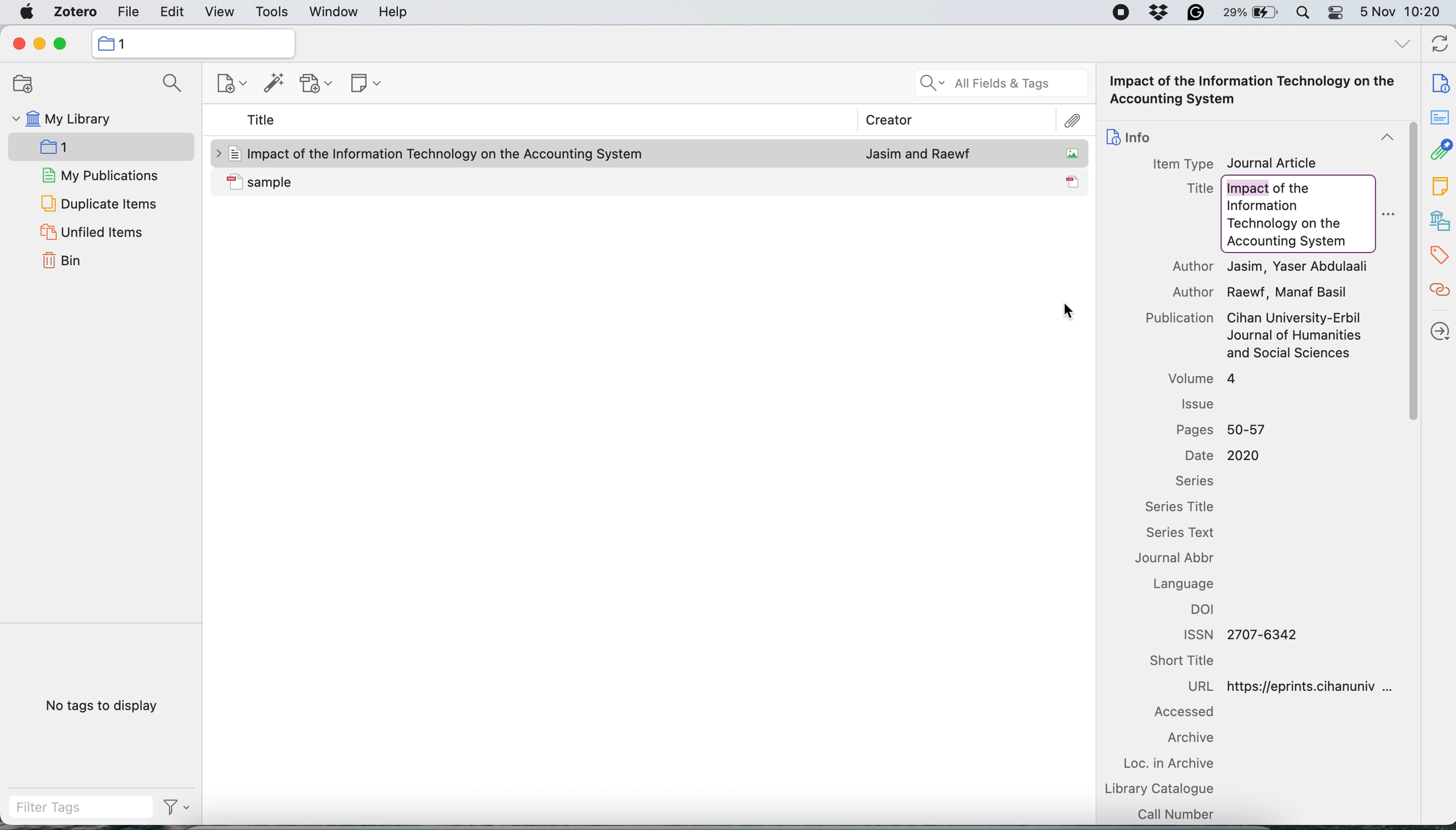  Describe the element at coordinates (105, 43) in the screenshot. I see `icon` at that location.